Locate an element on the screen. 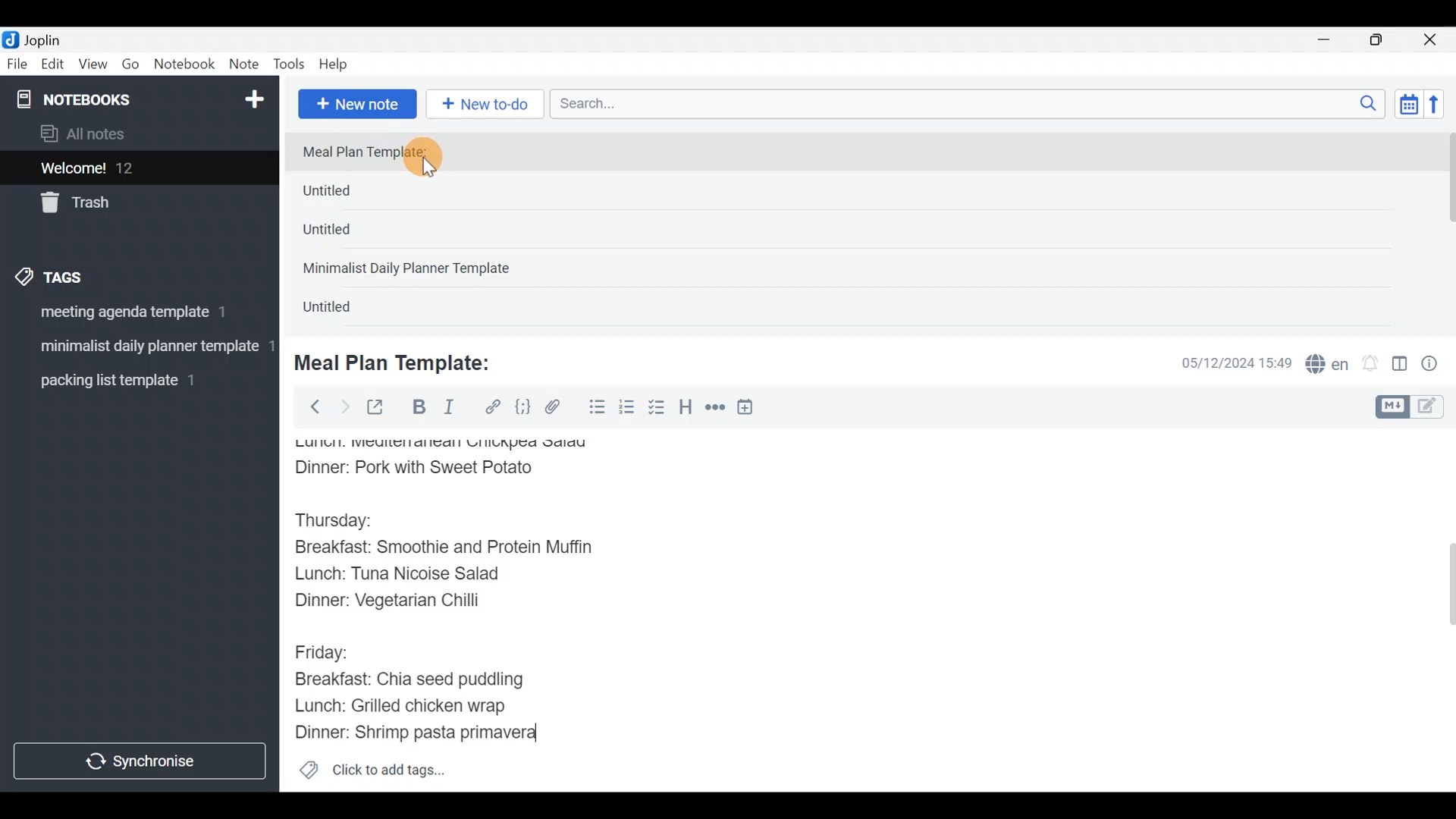 Image resolution: width=1456 pixels, height=819 pixels. Toggle sort order is located at coordinates (1408, 105).